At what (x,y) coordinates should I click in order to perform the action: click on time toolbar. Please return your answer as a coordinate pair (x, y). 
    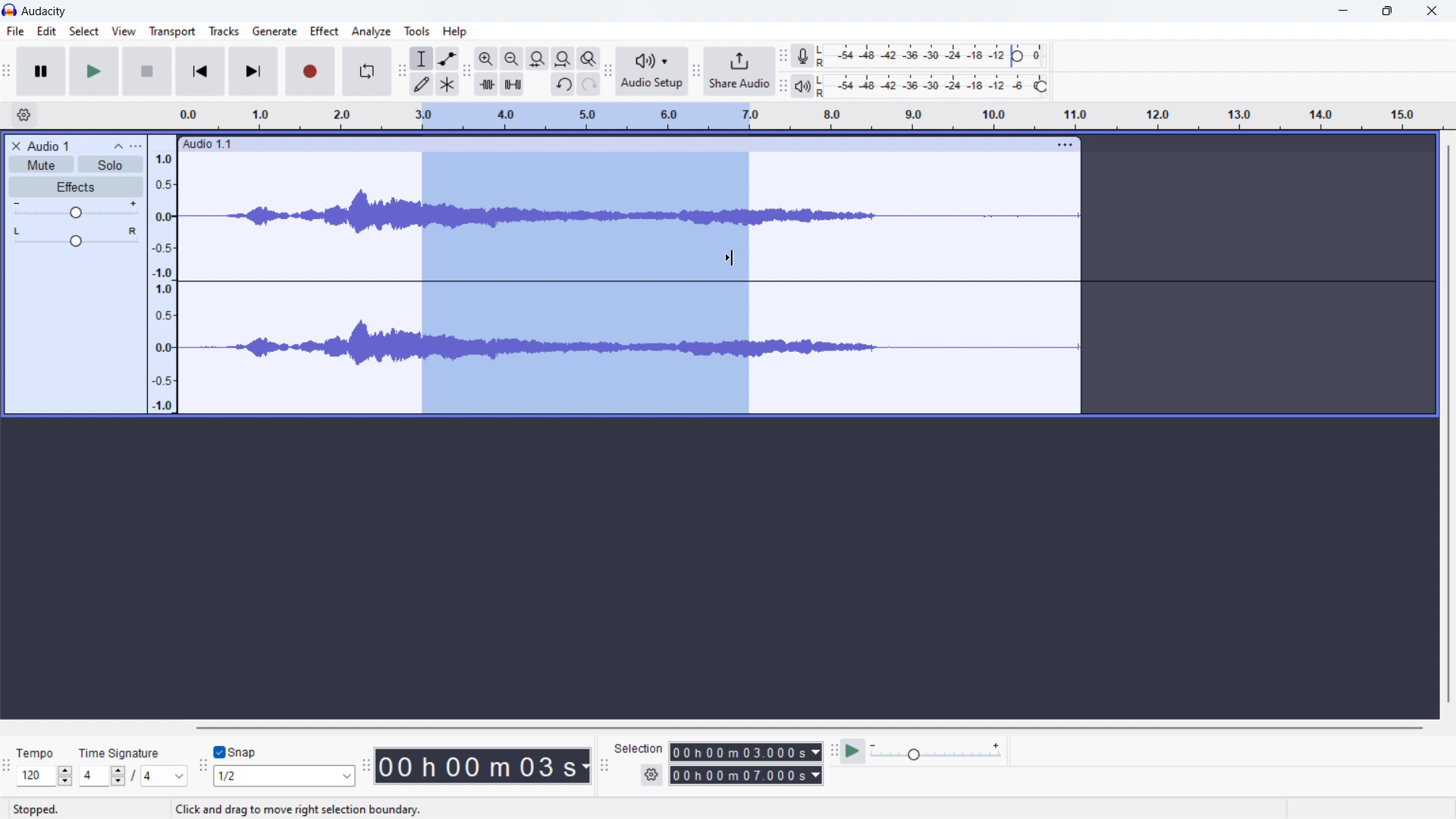
    Looking at the image, I should click on (366, 770).